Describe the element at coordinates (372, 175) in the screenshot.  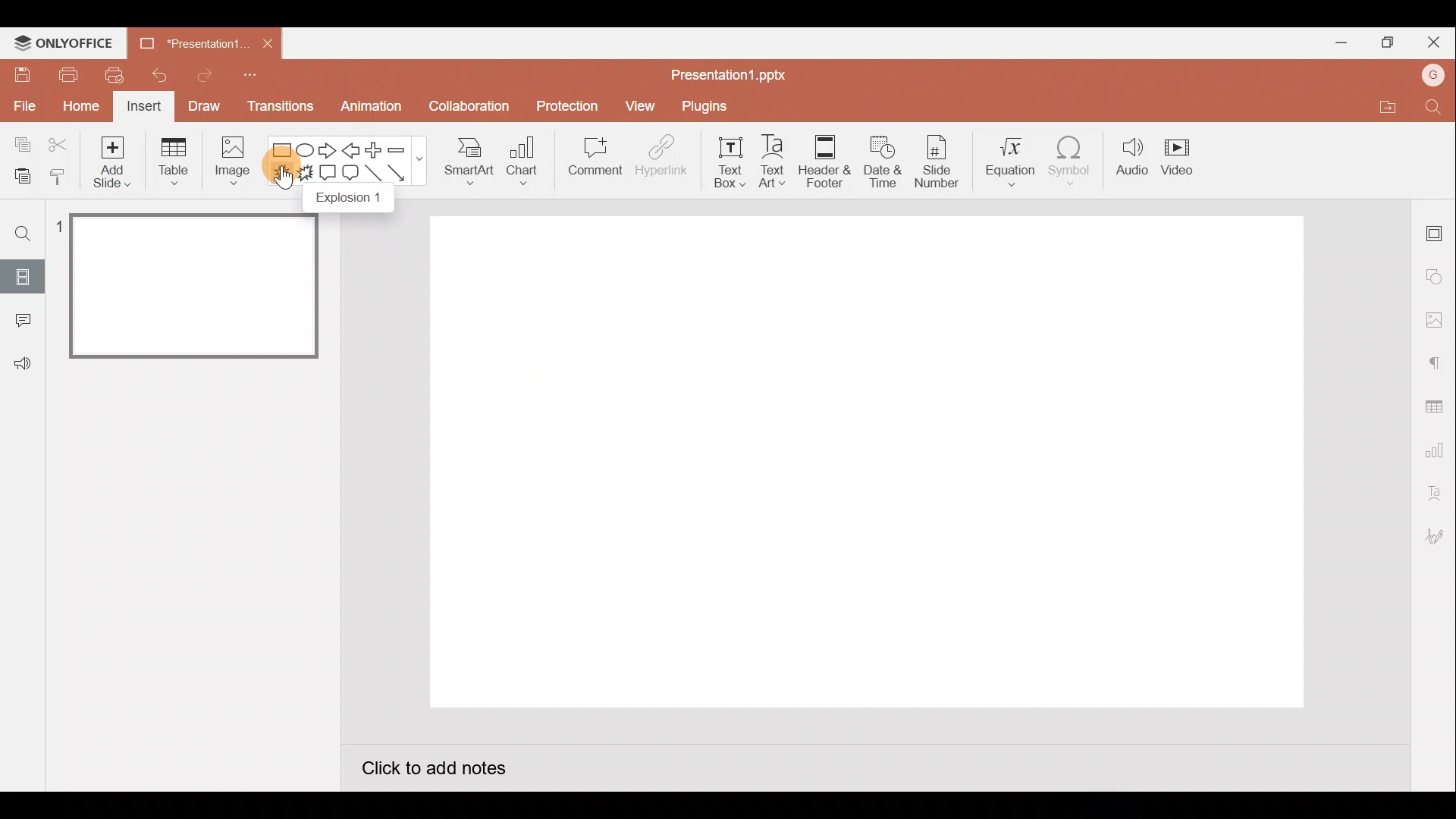
I see `Line` at that location.